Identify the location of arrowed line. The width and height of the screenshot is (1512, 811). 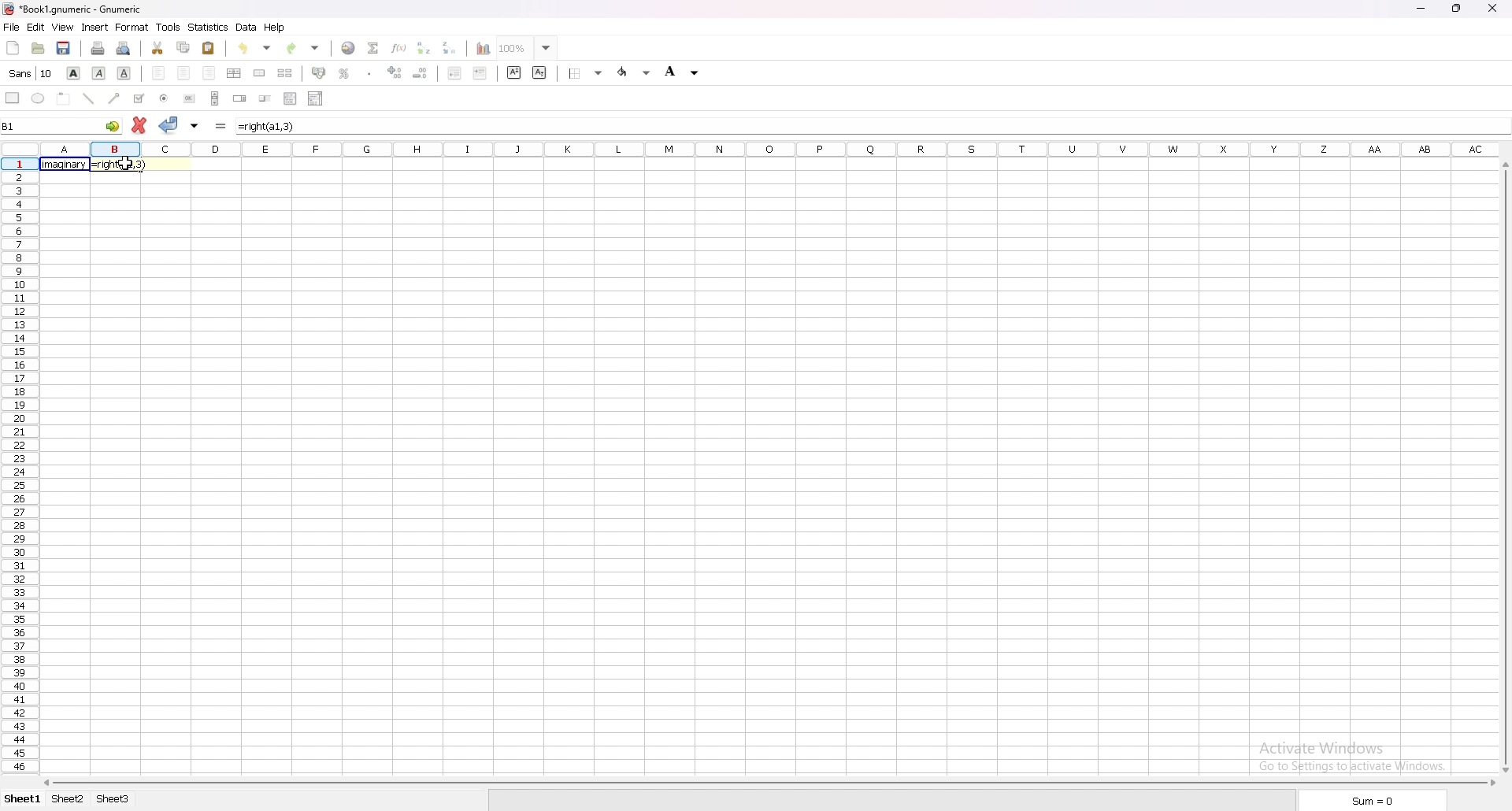
(114, 98).